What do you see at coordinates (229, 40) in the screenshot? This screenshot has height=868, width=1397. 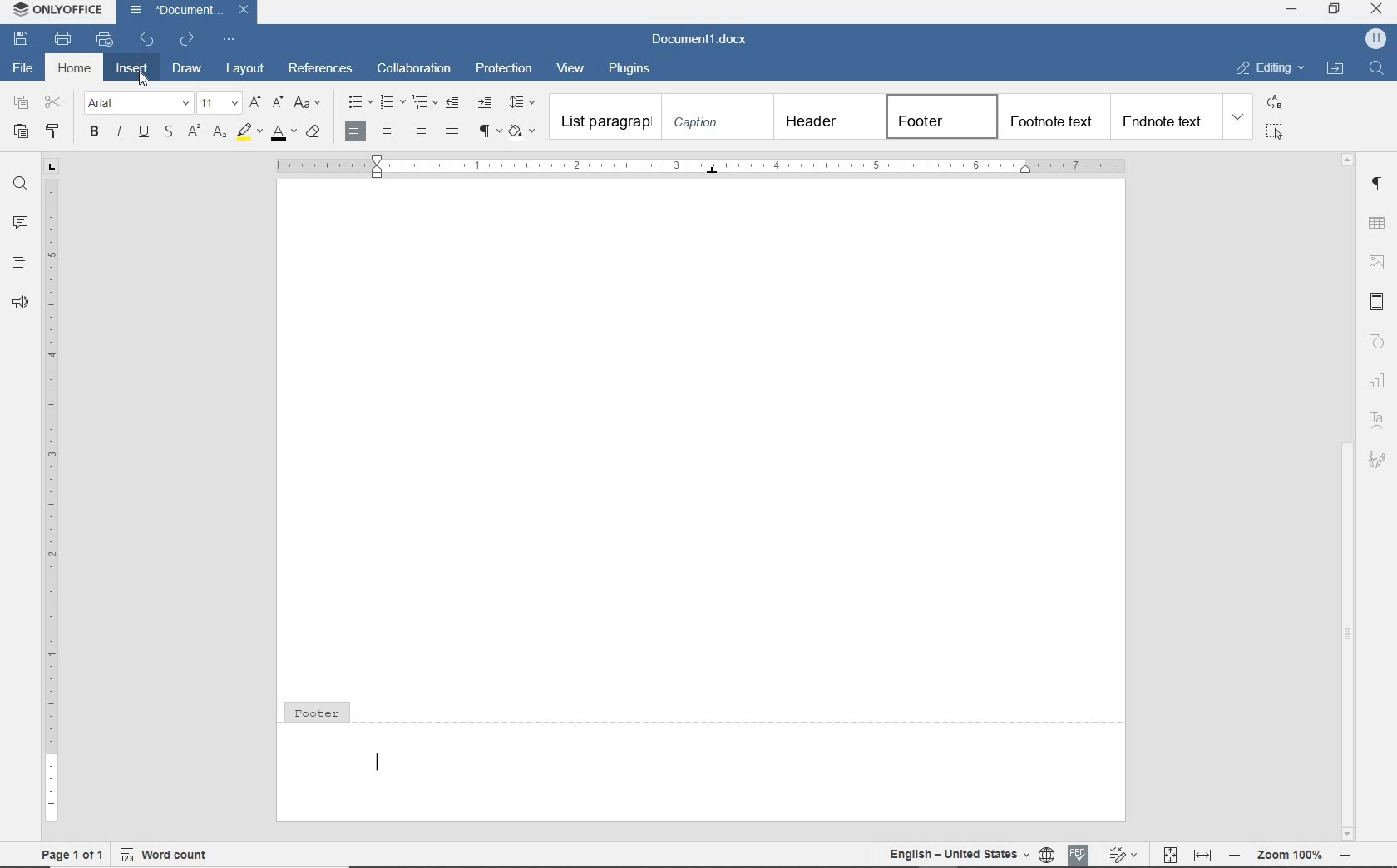 I see `customize quick access toolbar` at bounding box center [229, 40].